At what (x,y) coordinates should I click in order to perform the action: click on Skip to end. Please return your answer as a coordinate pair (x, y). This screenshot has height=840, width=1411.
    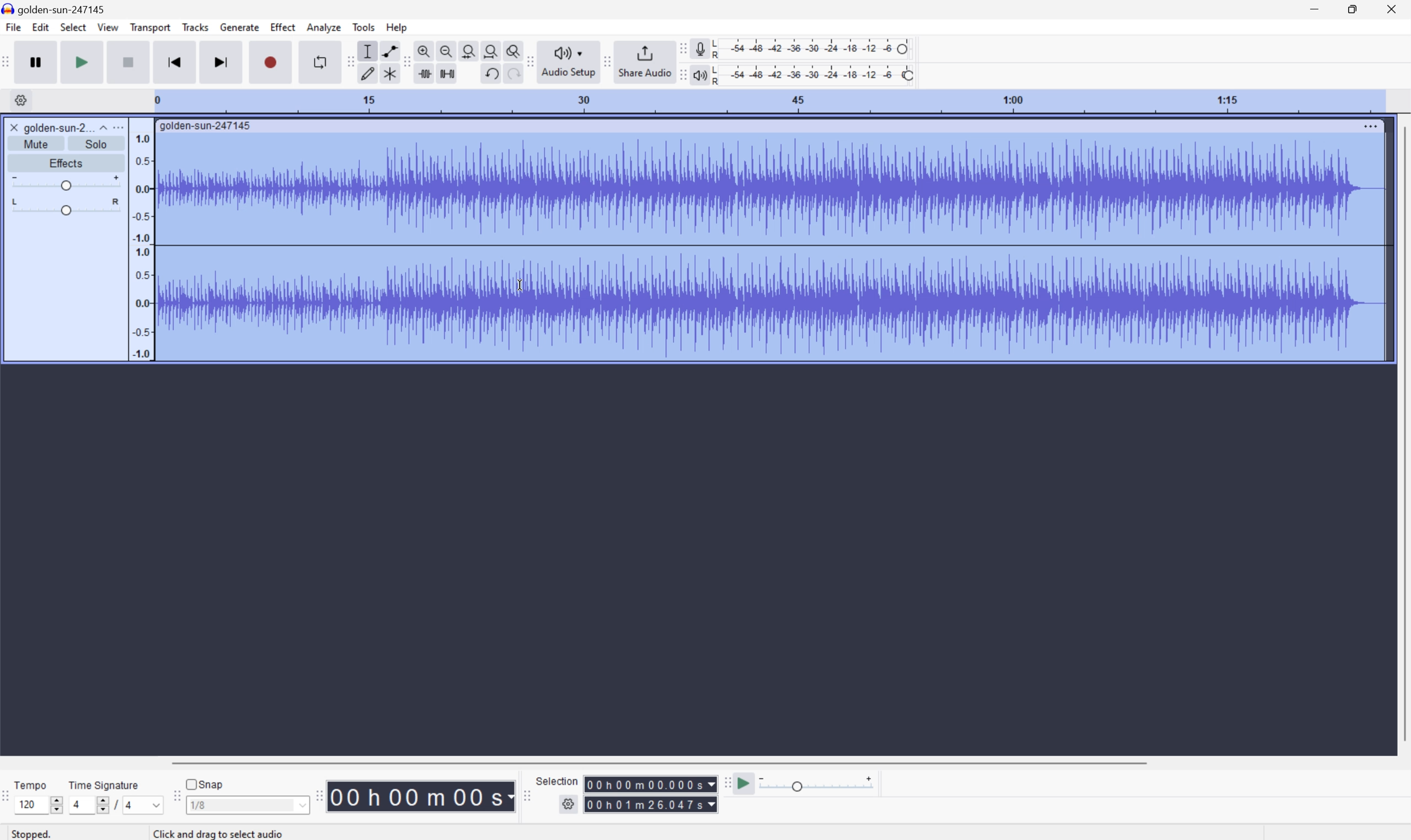
    Looking at the image, I should click on (222, 61).